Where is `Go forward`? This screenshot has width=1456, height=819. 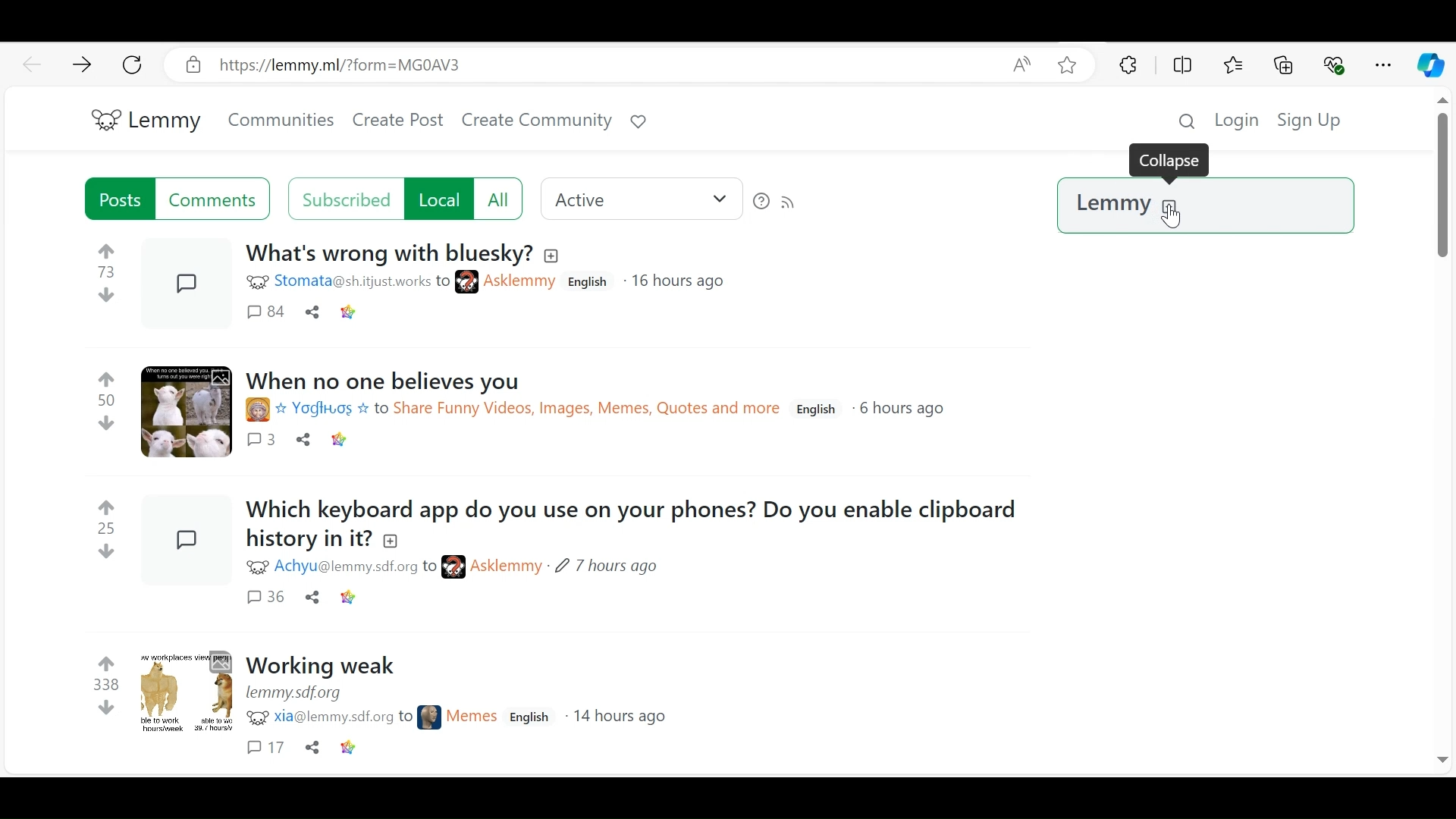 Go forward is located at coordinates (81, 64).